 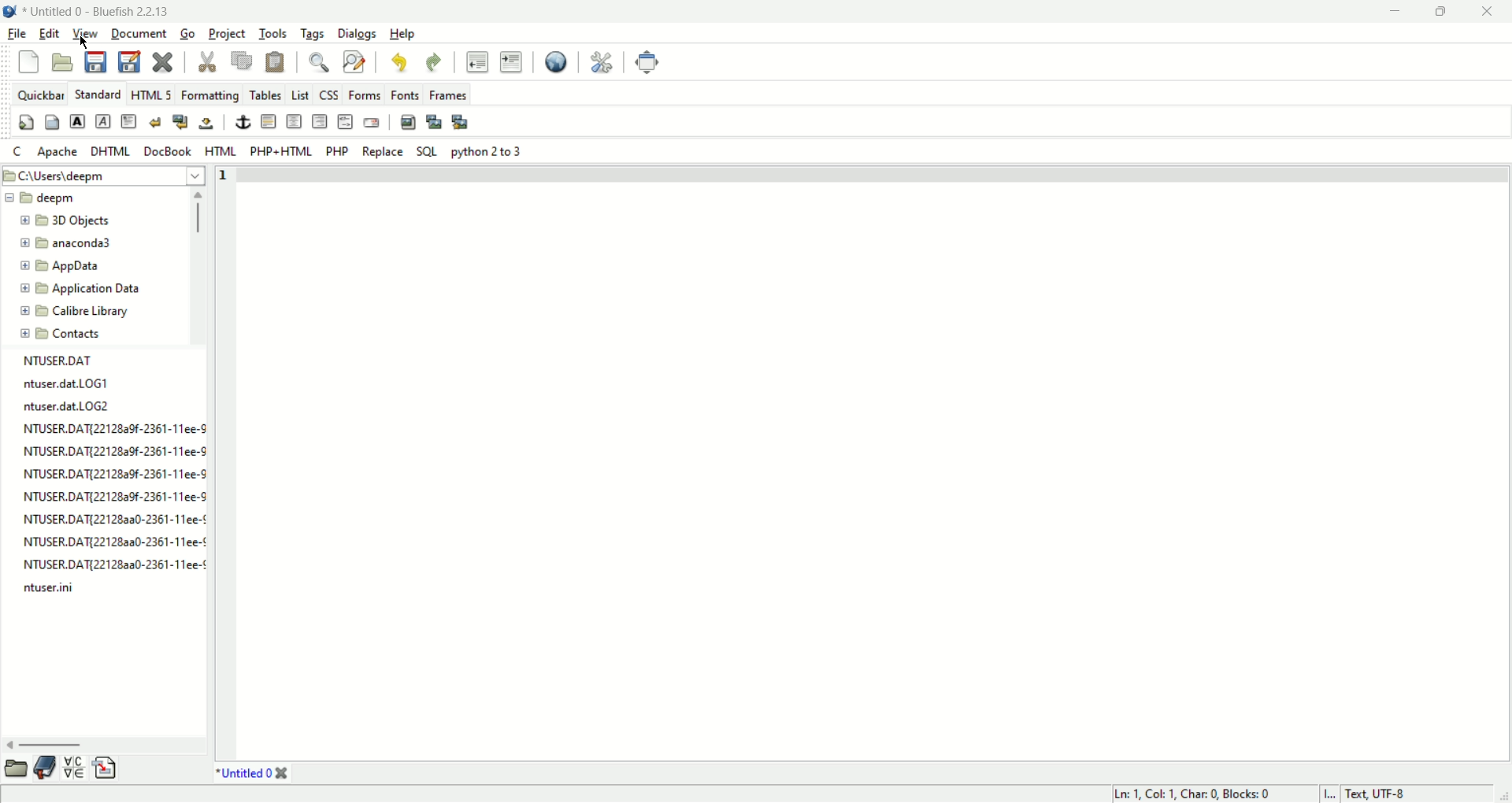 What do you see at coordinates (46, 766) in the screenshot?
I see `bookmark` at bounding box center [46, 766].